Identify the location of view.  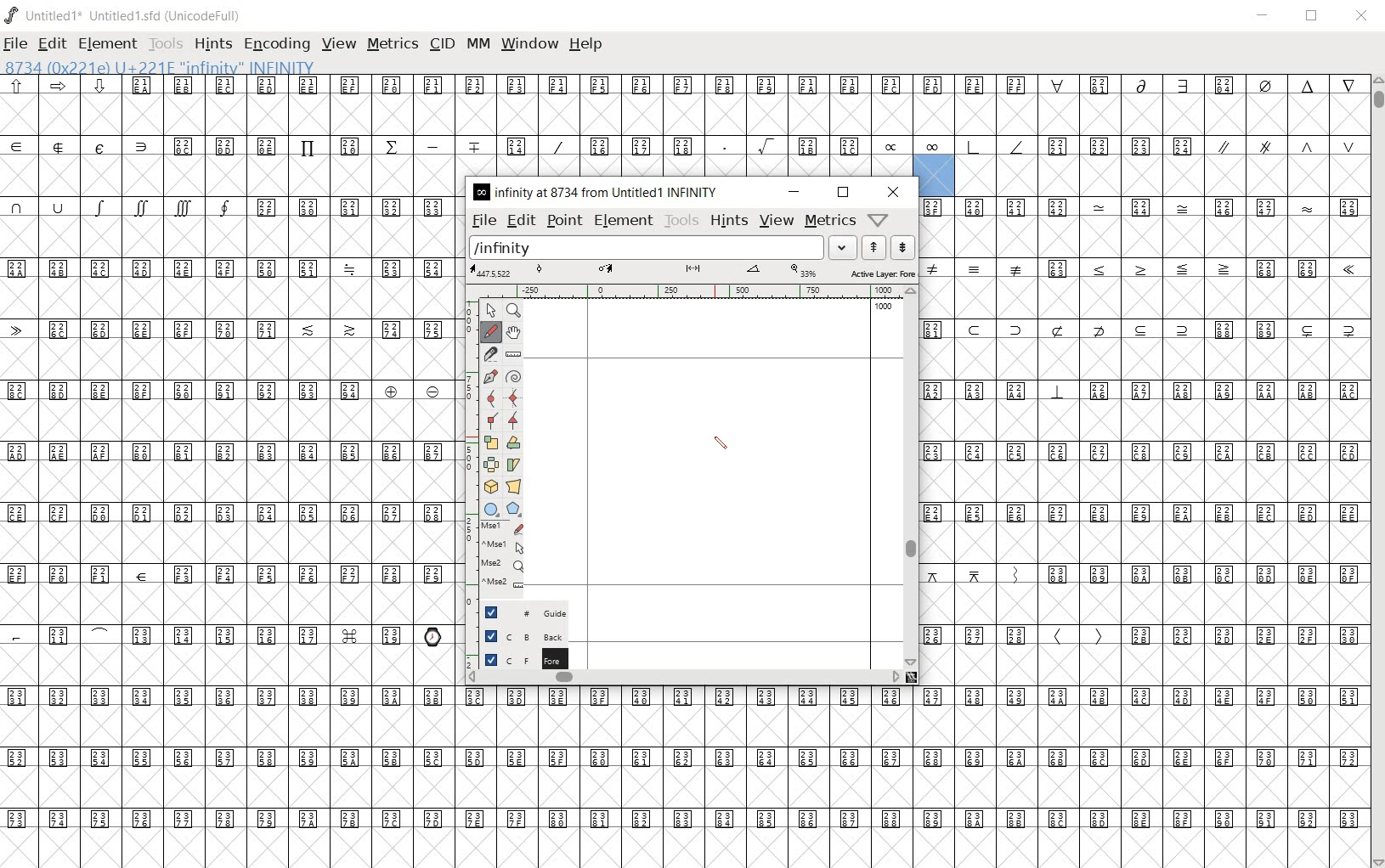
(777, 221).